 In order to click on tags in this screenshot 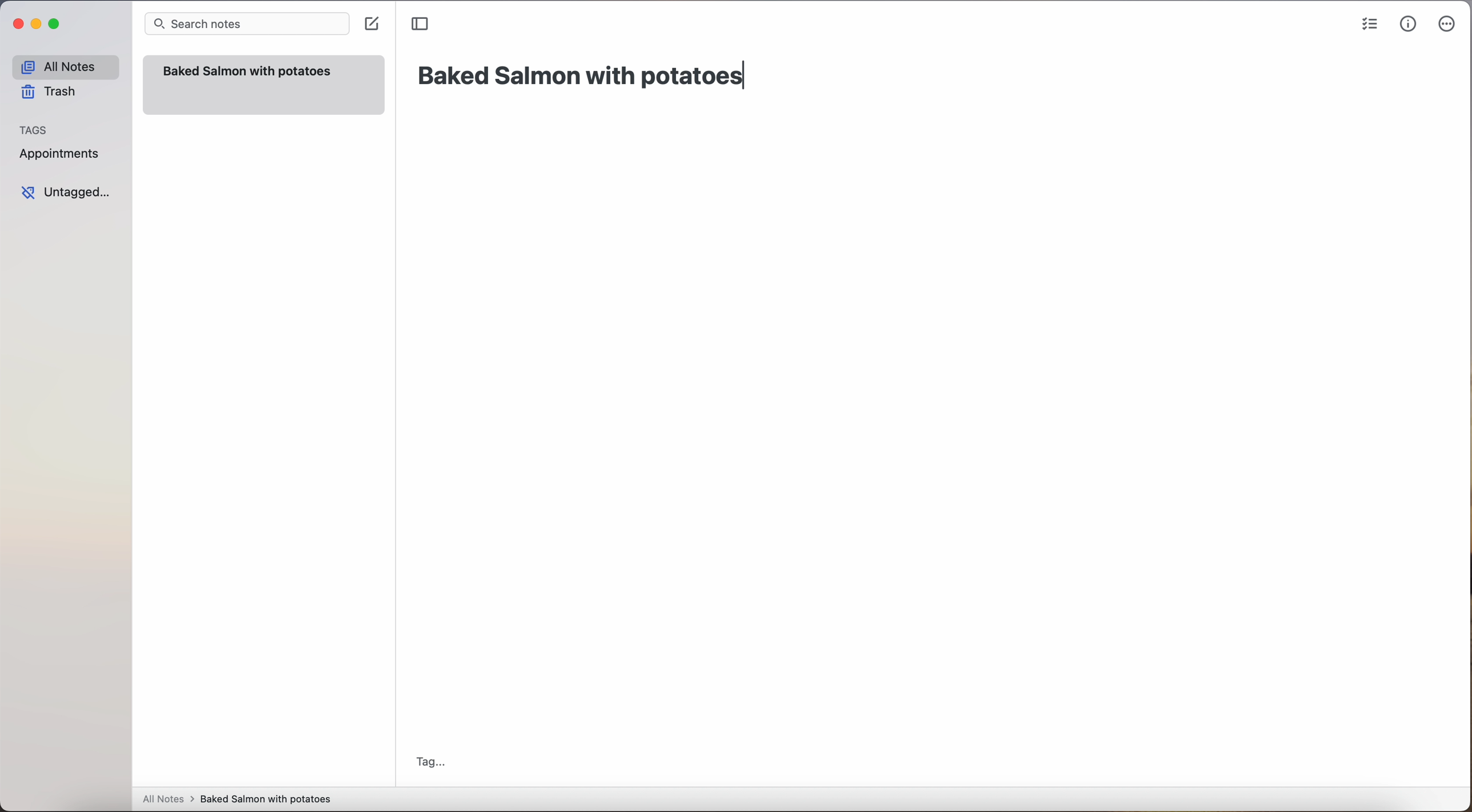, I will do `click(34, 129)`.